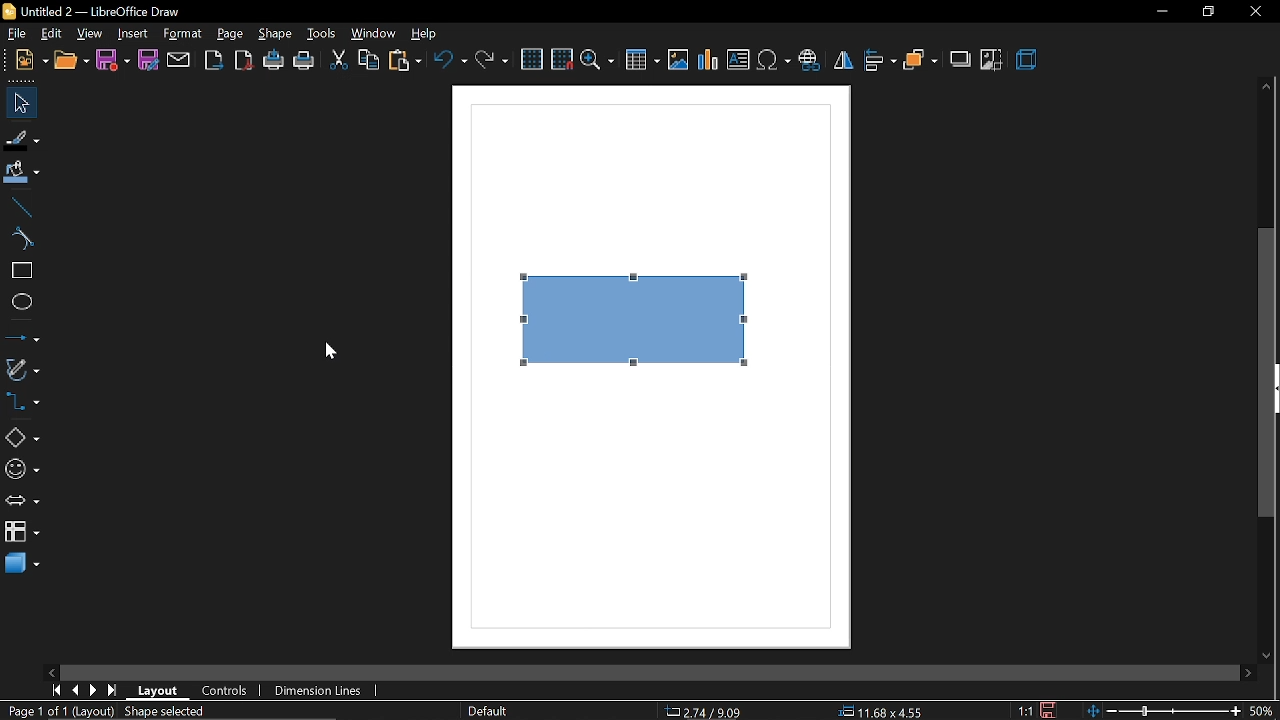 This screenshot has height=720, width=1280. What do you see at coordinates (112, 692) in the screenshot?
I see `go to last page` at bounding box center [112, 692].